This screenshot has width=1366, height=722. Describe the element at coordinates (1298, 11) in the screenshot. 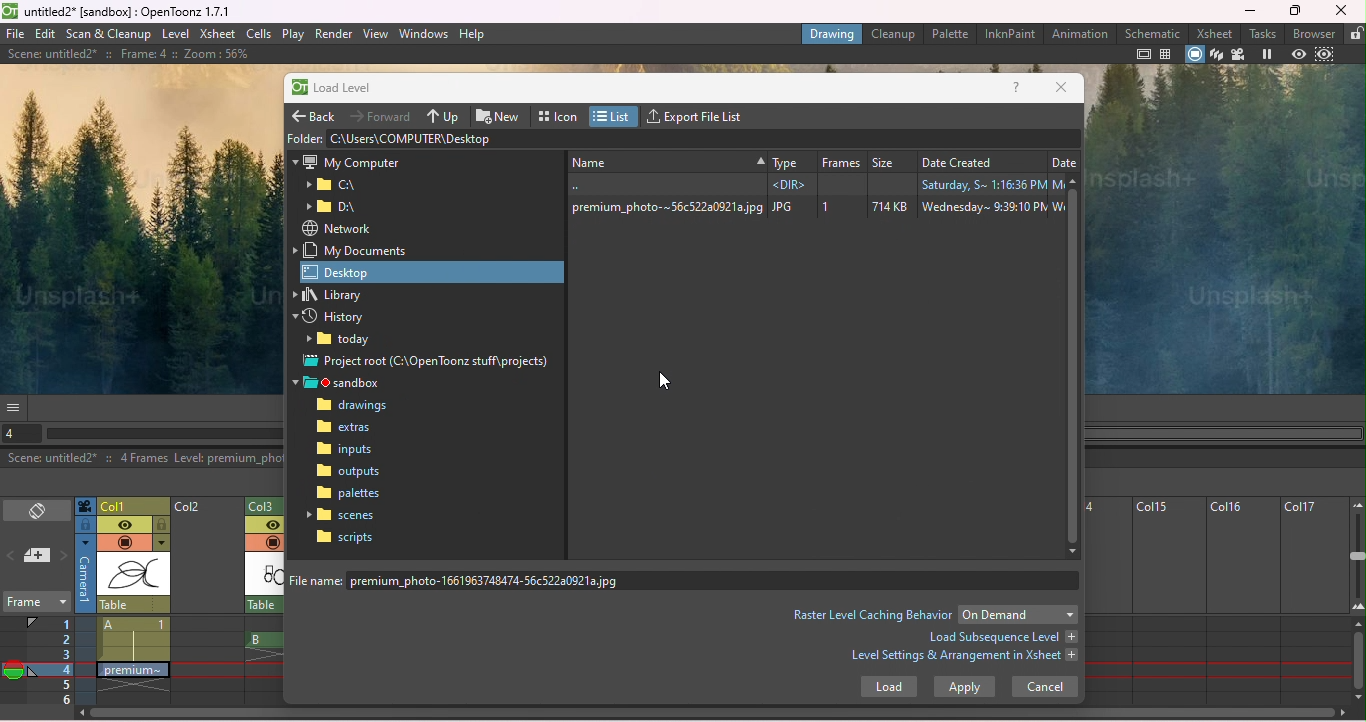

I see `Maximize` at that location.